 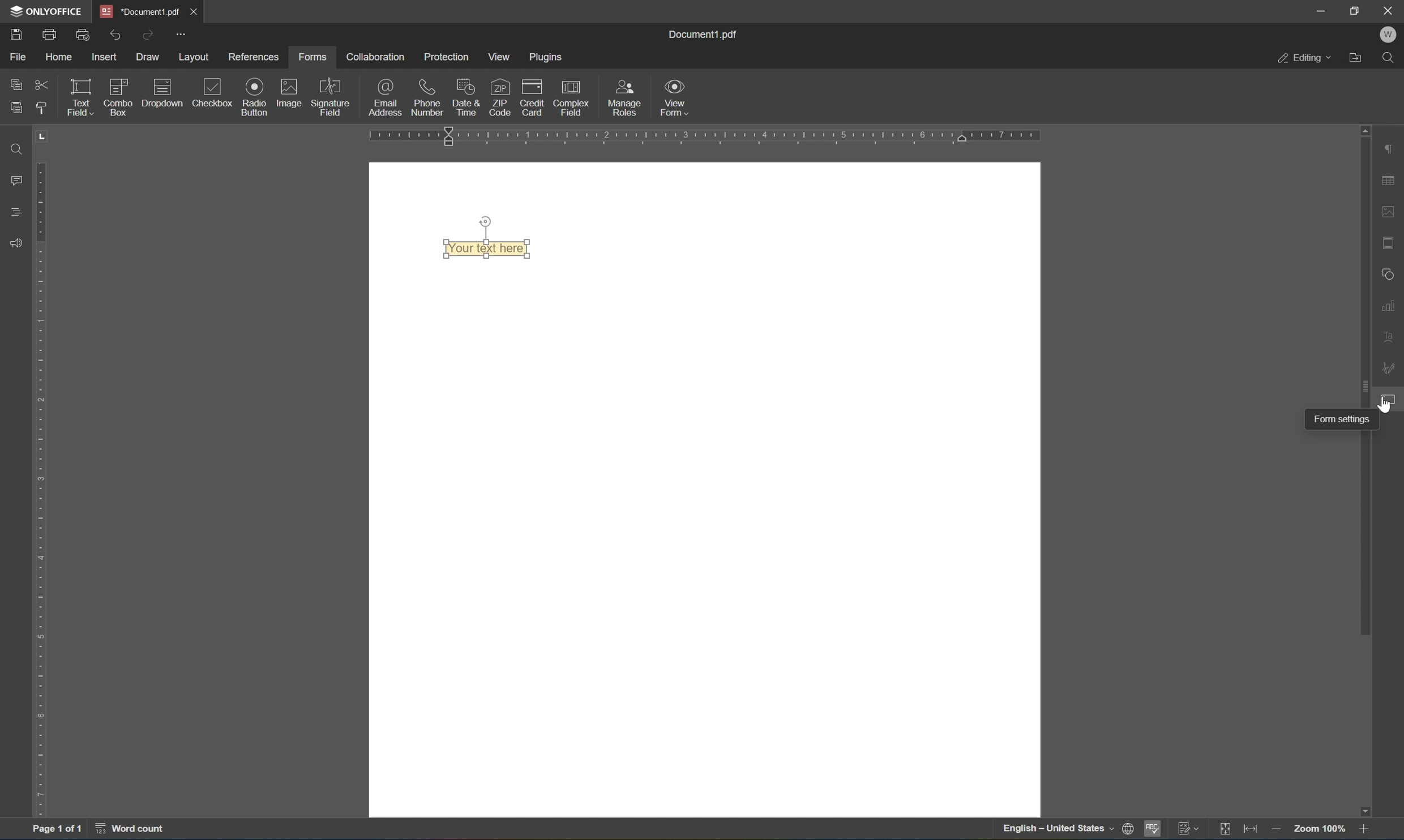 What do you see at coordinates (195, 57) in the screenshot?
I see `layout` at bounding box center [195, 57].